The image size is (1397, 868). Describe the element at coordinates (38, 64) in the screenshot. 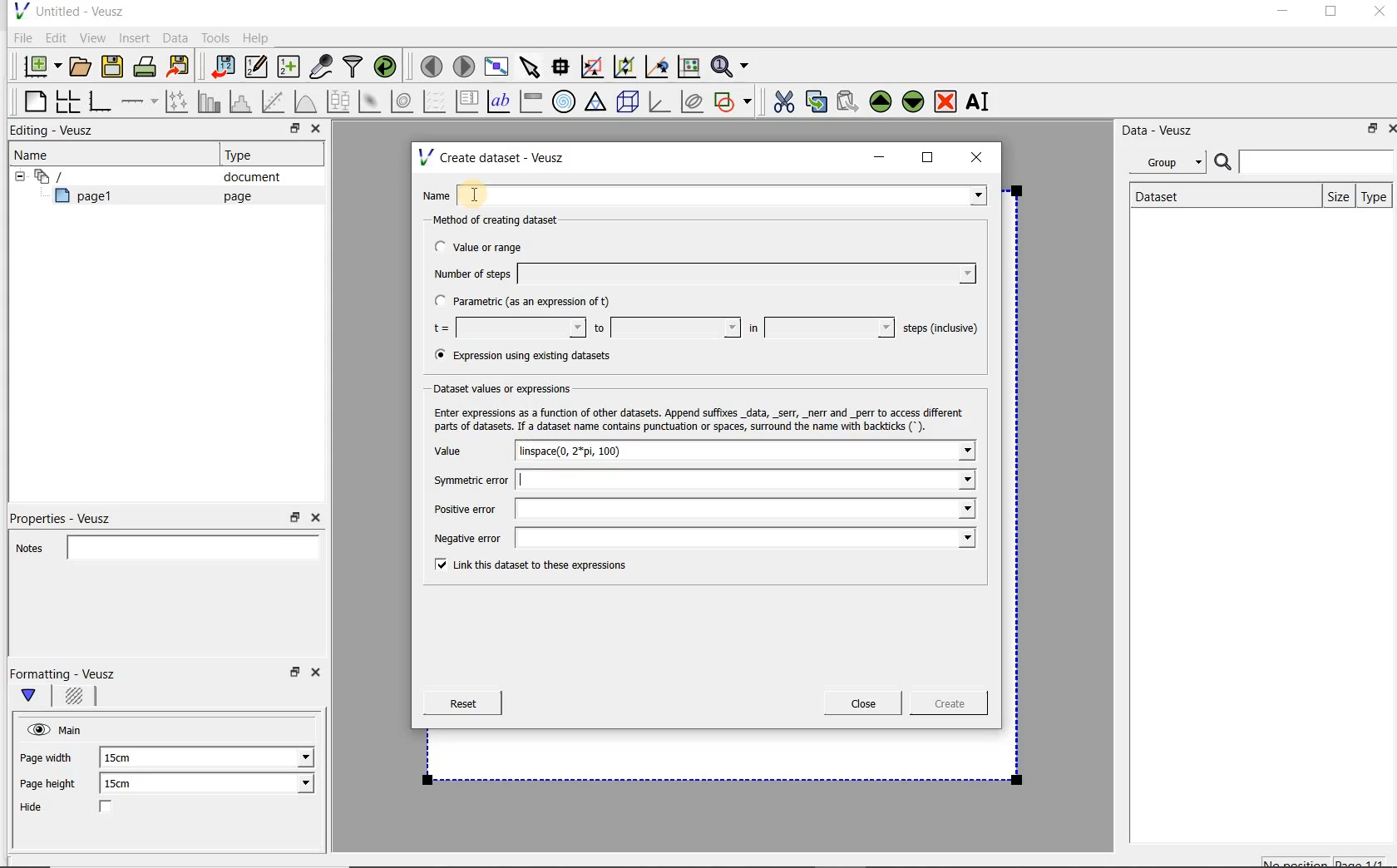

I see `new document` at that location.